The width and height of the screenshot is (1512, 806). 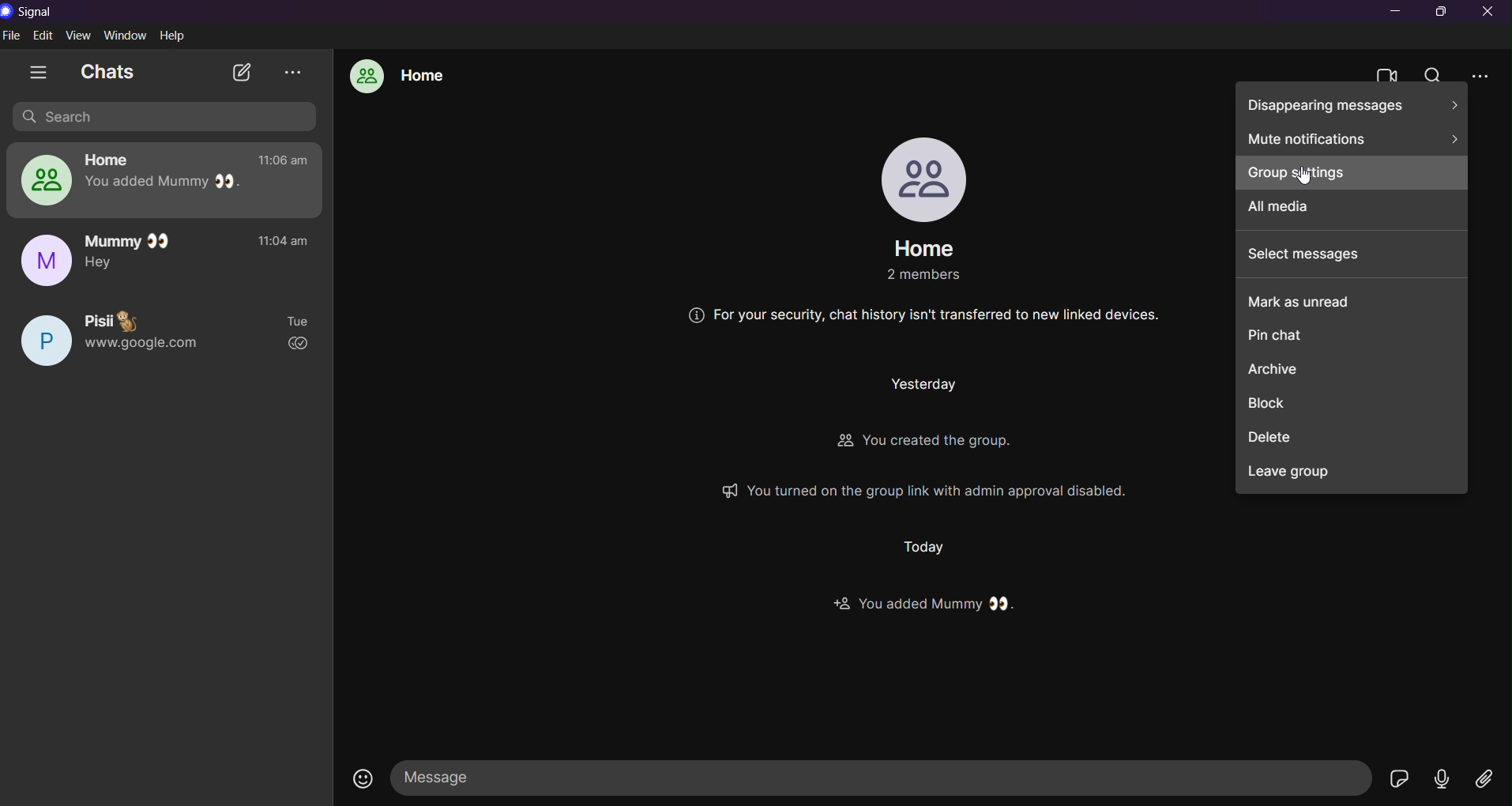 What do you see at coordinates (1353, 102) in the screenshot?
I see `disappearing messge` at bounding box center [1353, 102].